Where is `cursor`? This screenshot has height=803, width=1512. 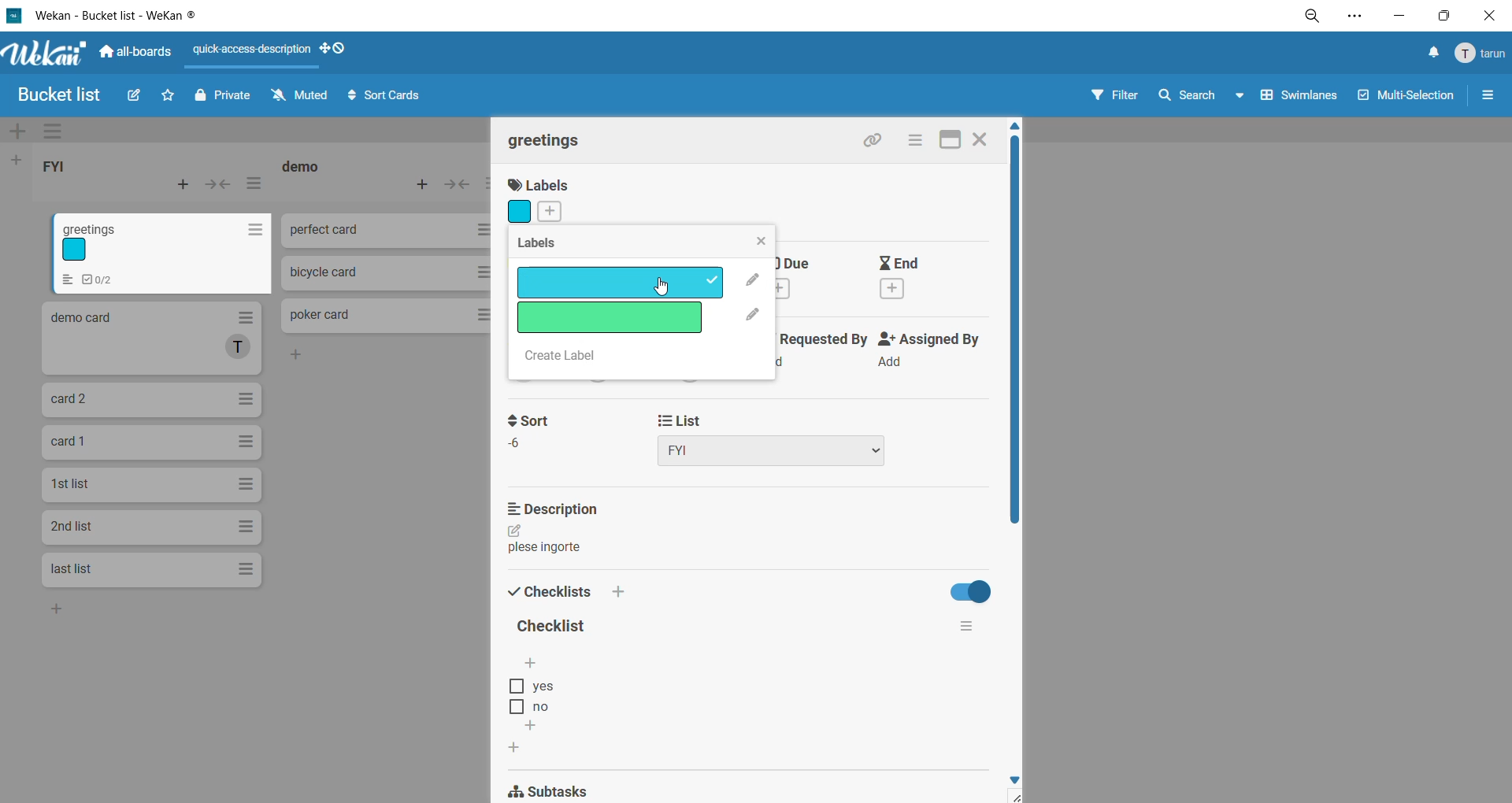
cursor is located at coordinates (664, 290).